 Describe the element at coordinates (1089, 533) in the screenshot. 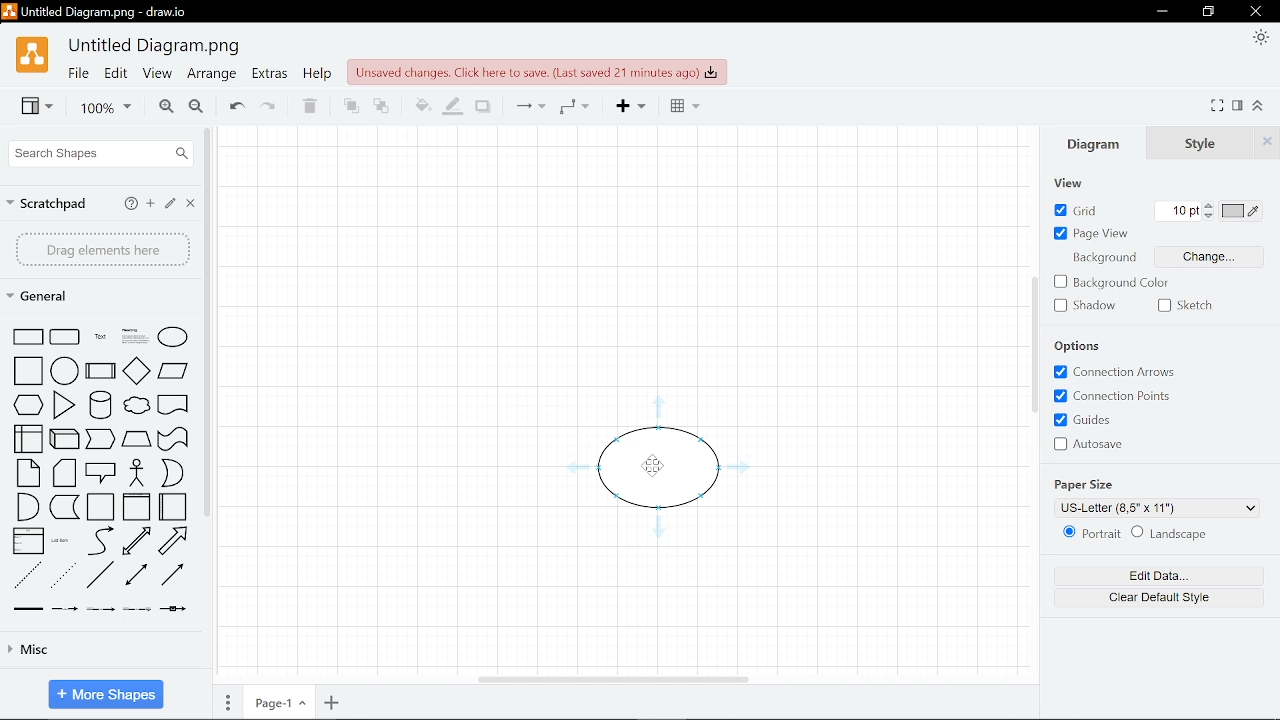

I see `Potrait` at that location.